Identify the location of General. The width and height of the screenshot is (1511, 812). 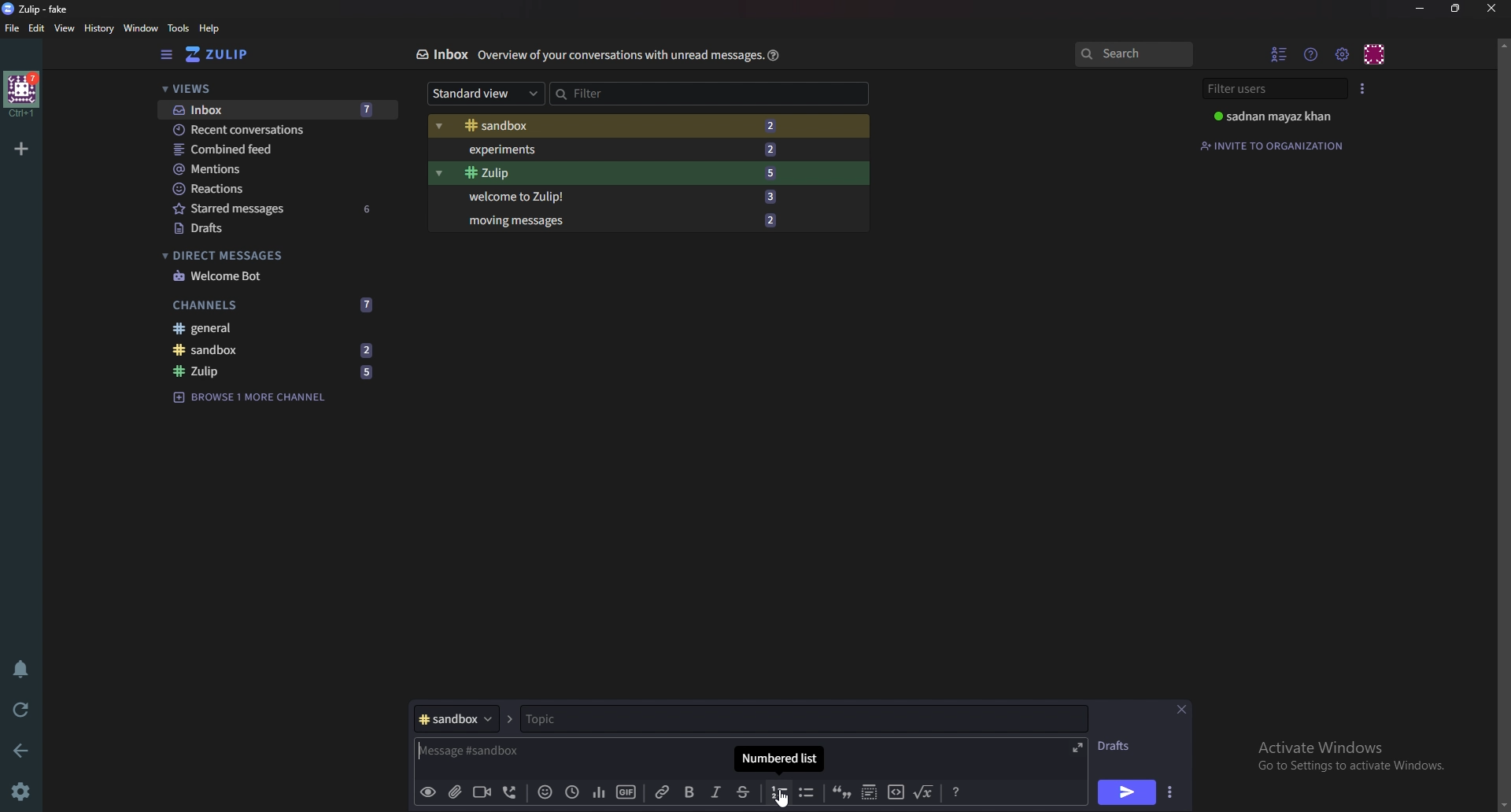
(275, 330).